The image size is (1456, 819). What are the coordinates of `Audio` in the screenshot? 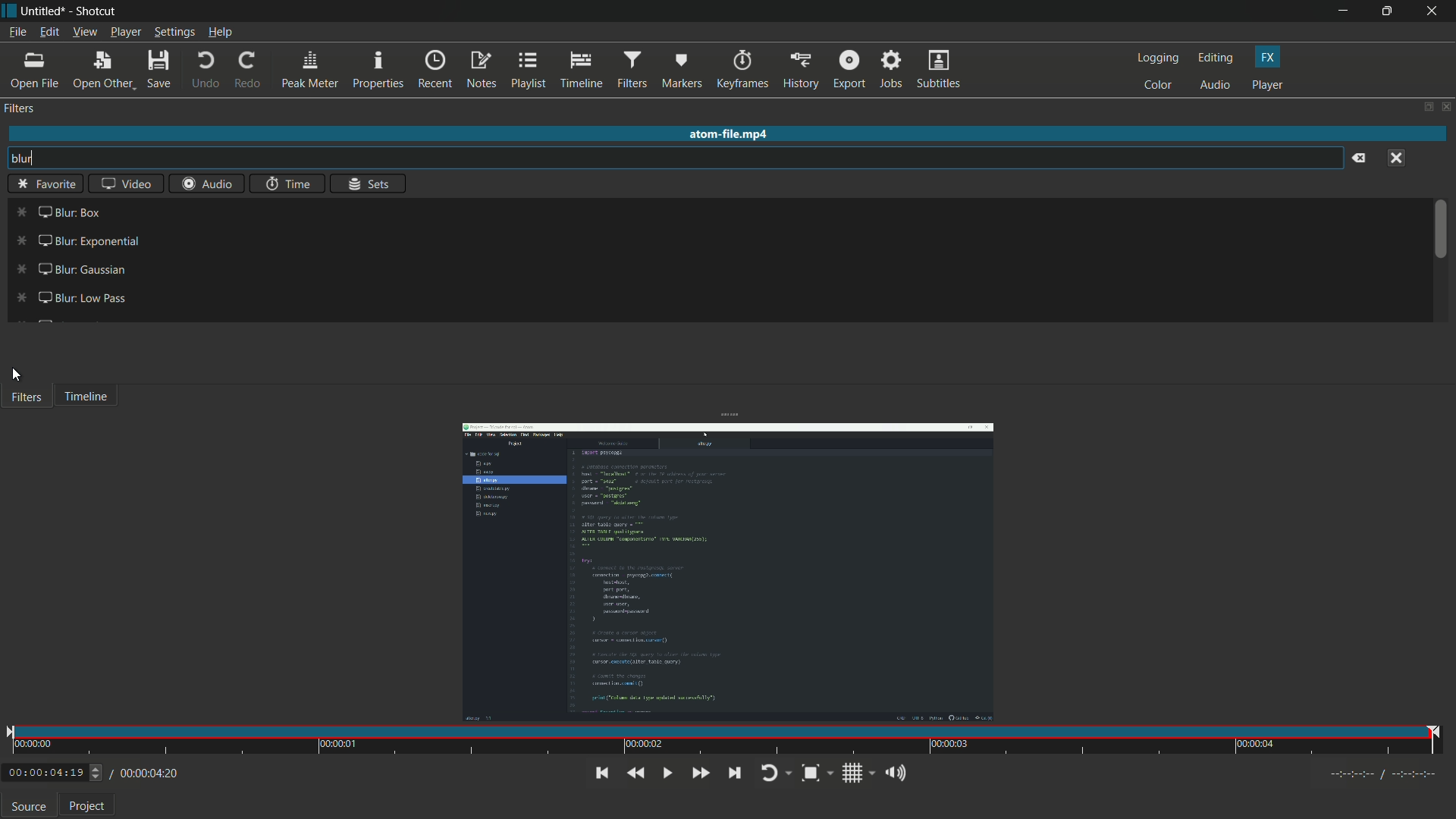 It's located at (203, 185).